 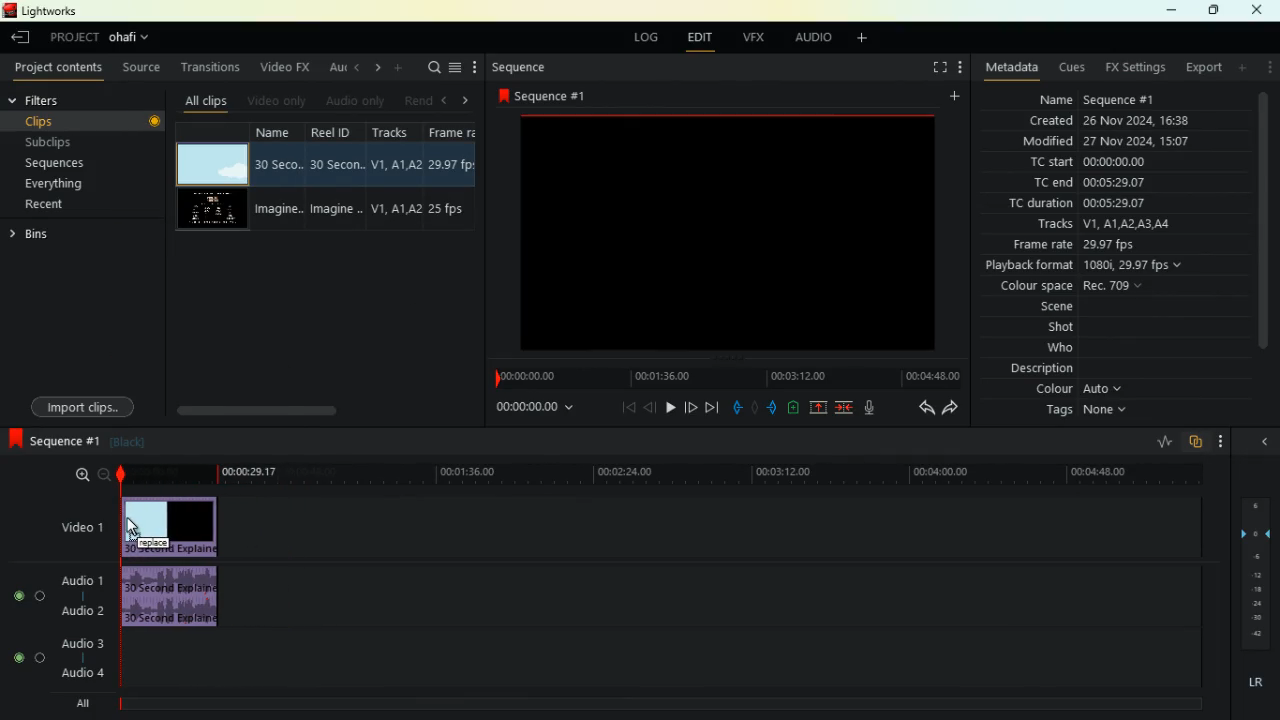 I want to click on back, so click(x=918, y=411).